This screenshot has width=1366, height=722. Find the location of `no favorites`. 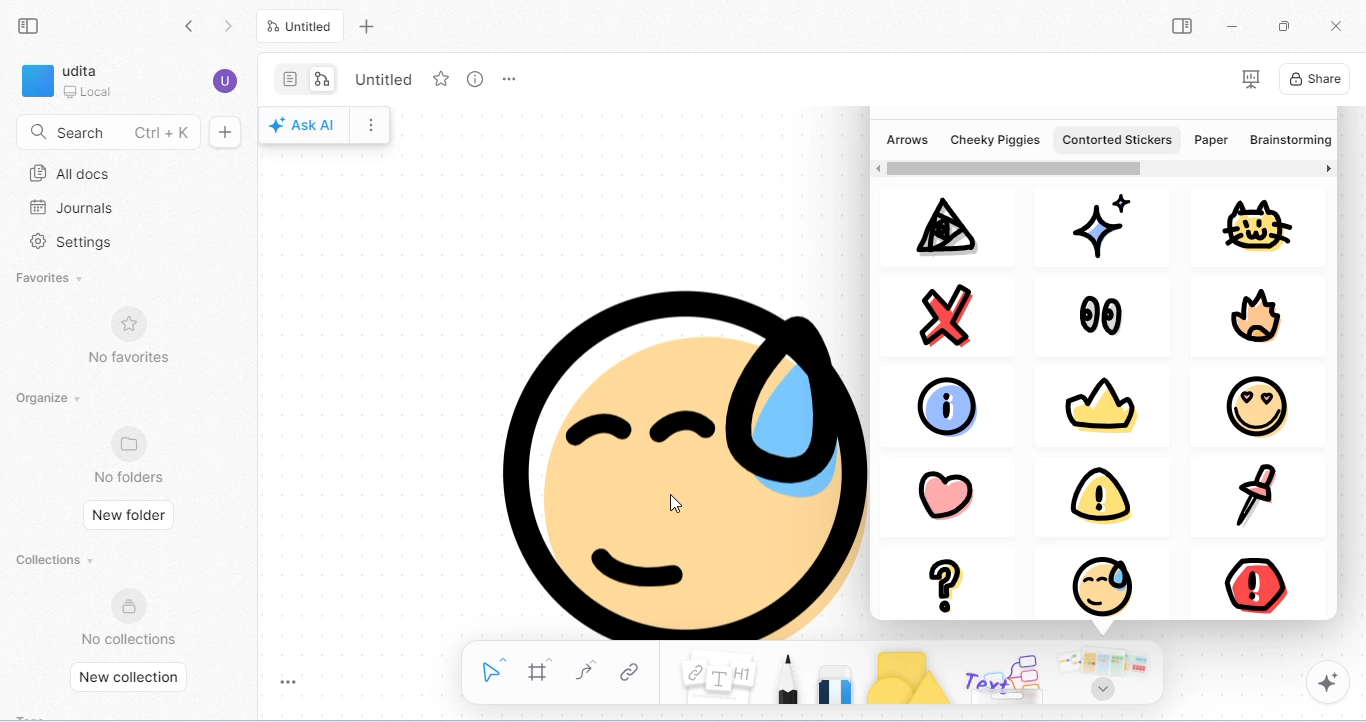

no favorites is located at coordinates (126, 333).